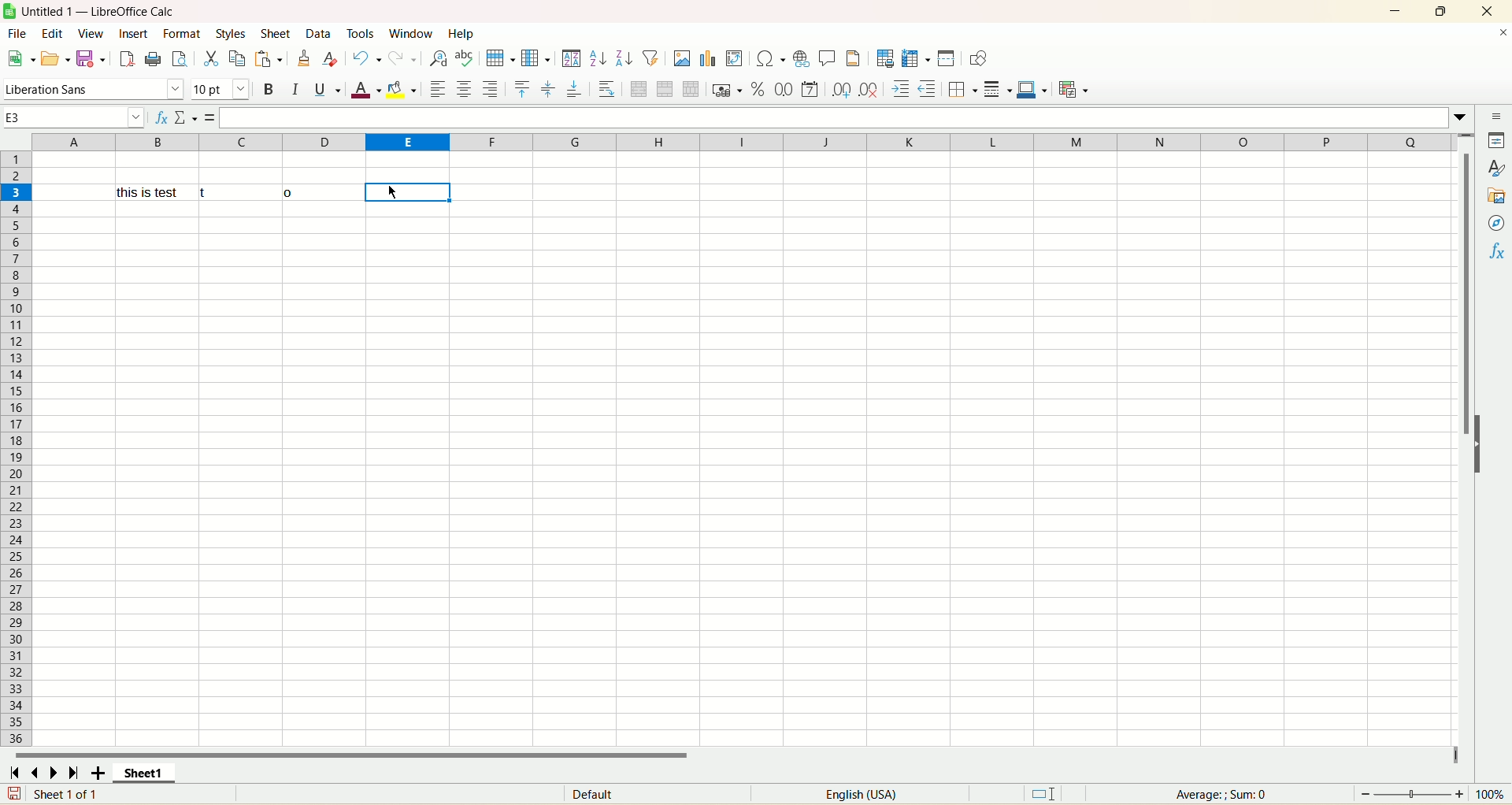  Describe the element at coordinates (463, 87) in the screenshot. I see `align center` at that location.